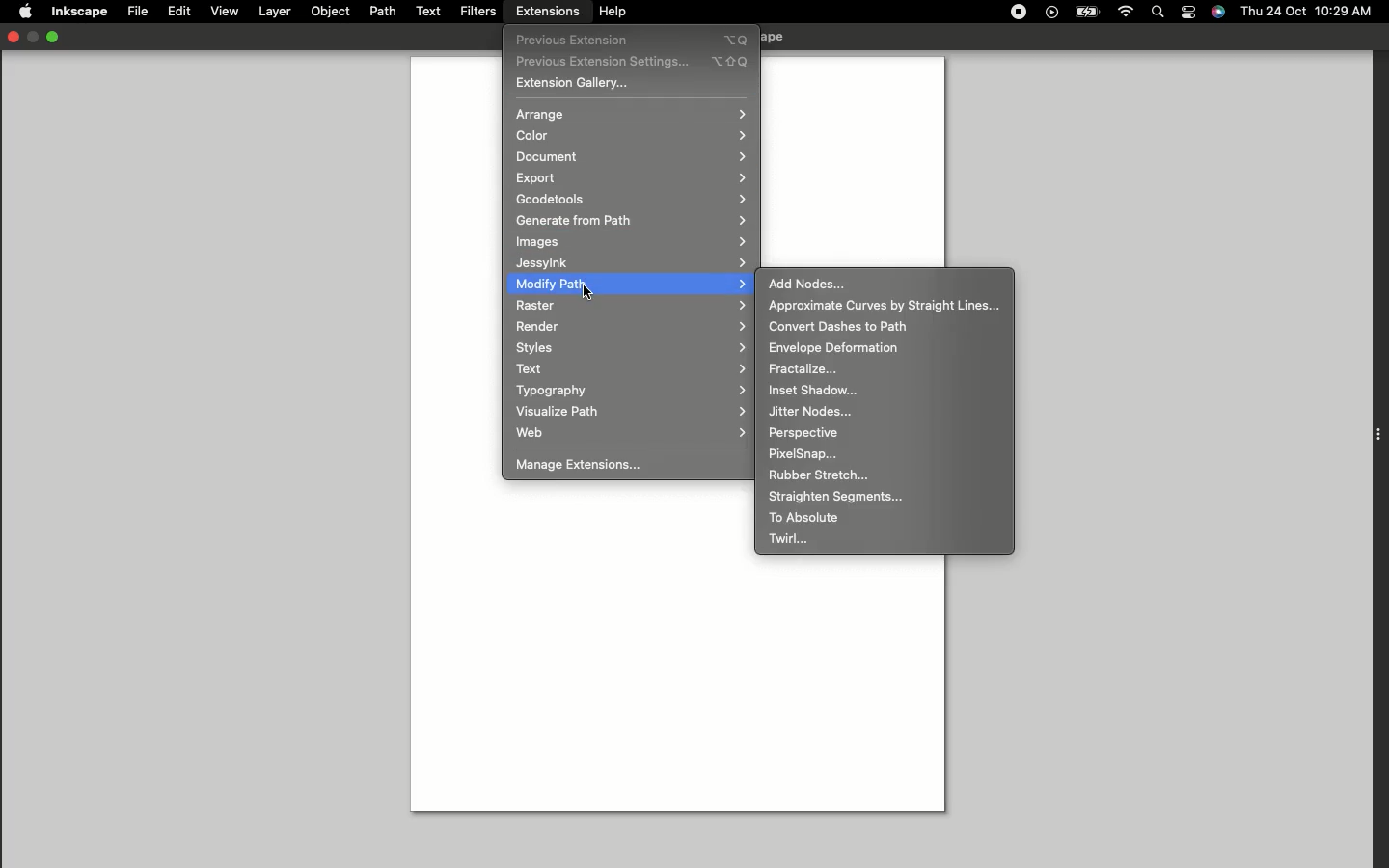 The height and width of the screenshot is (868, 1389). Describe the element at coordinates (229, 12) in the screenshot. I see `View` at that location.